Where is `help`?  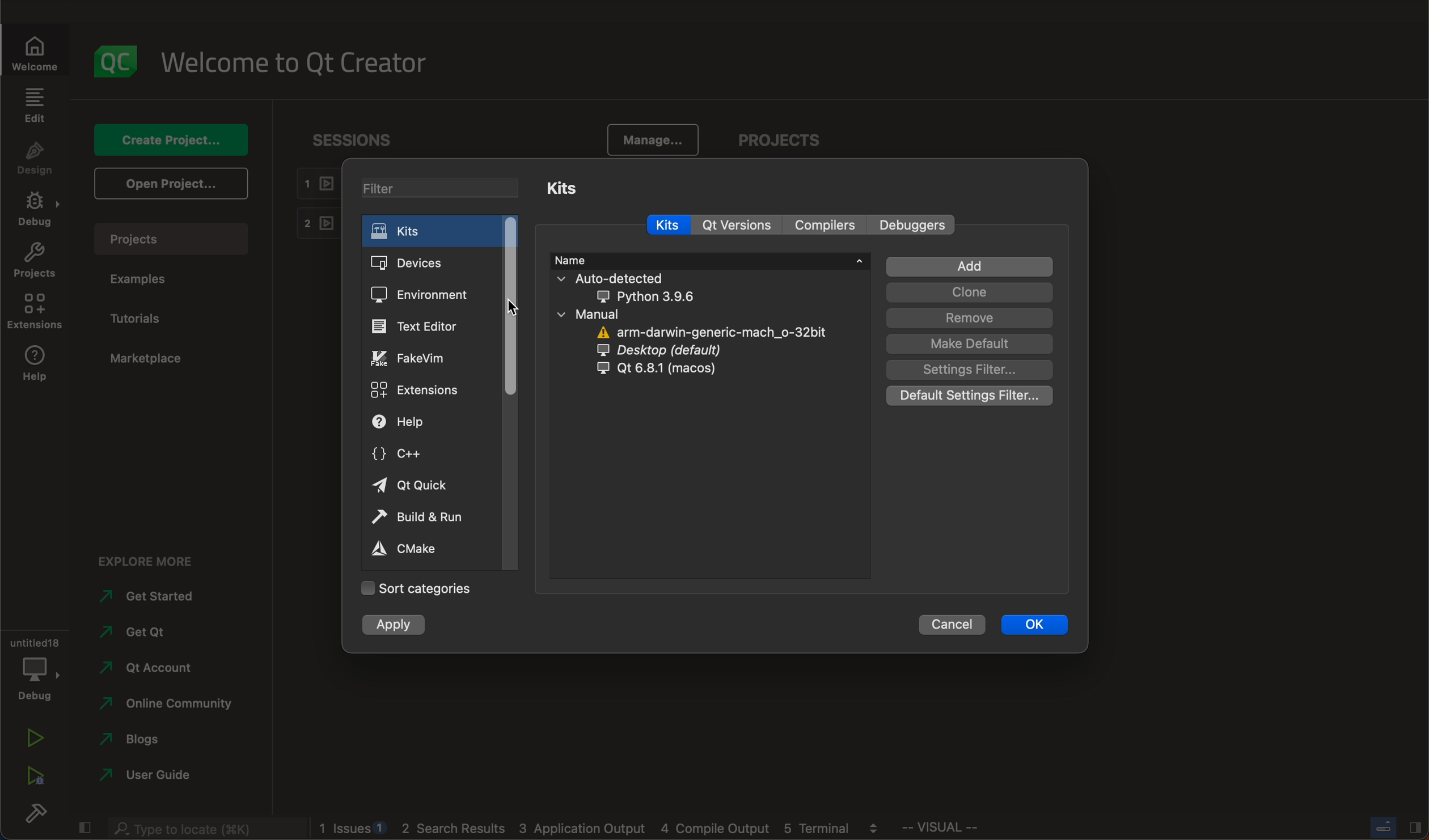
help is located at coordinates (35, 365).